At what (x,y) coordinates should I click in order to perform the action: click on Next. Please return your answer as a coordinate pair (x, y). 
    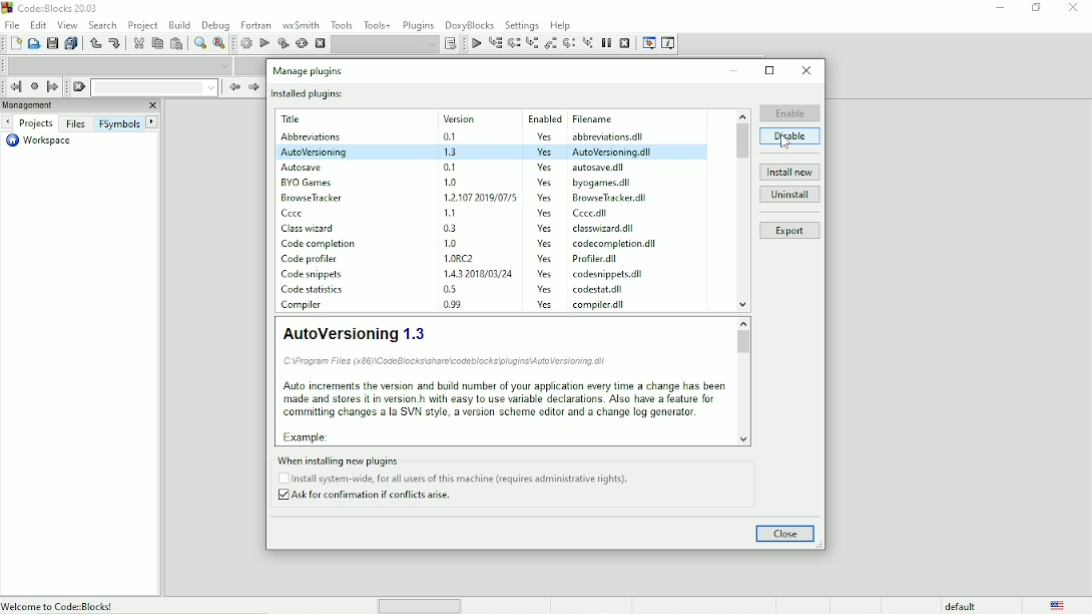
    Looking at the image, I should click on (7, 122).